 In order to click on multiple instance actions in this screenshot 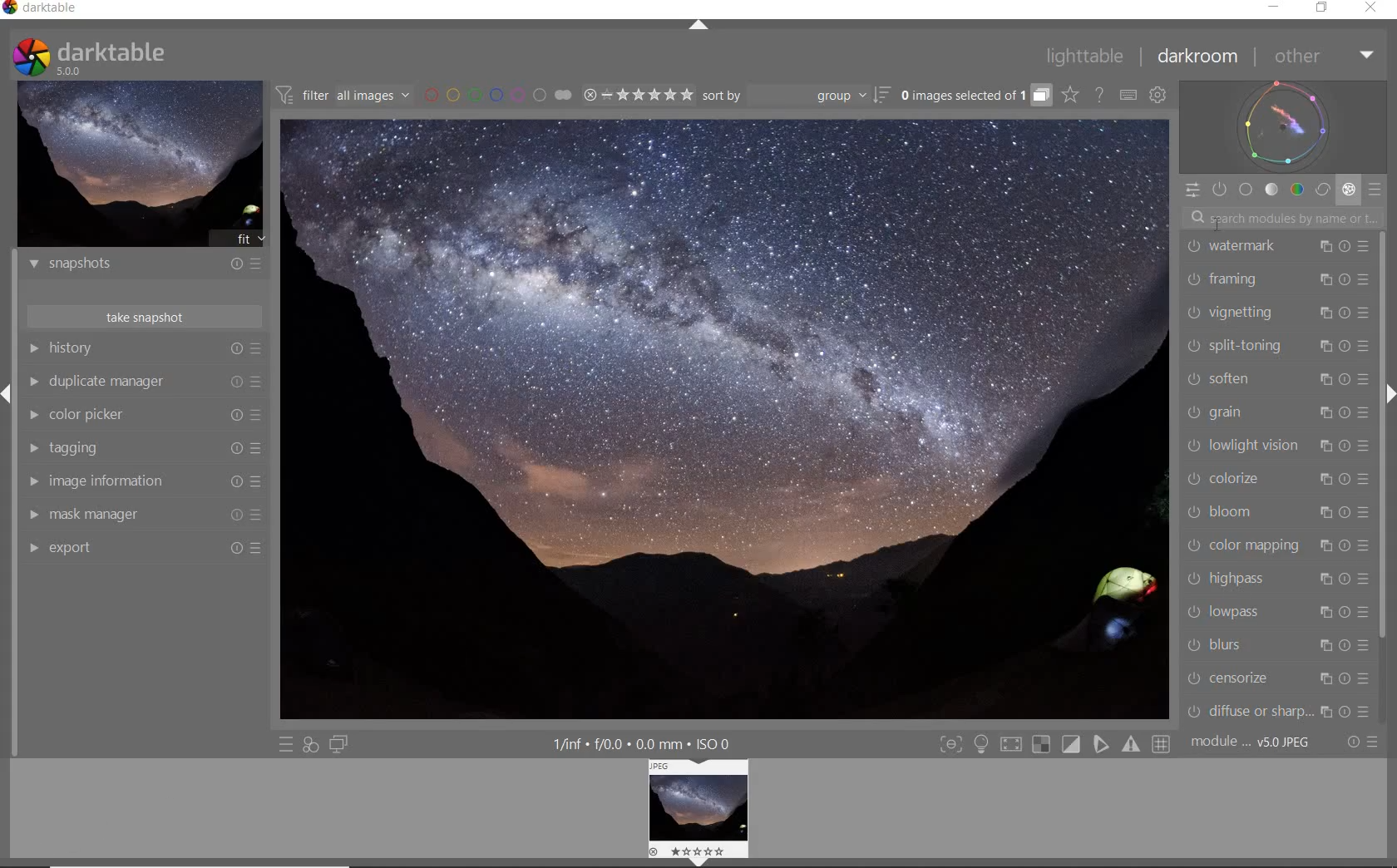, I will do `click(1325, 243)`.